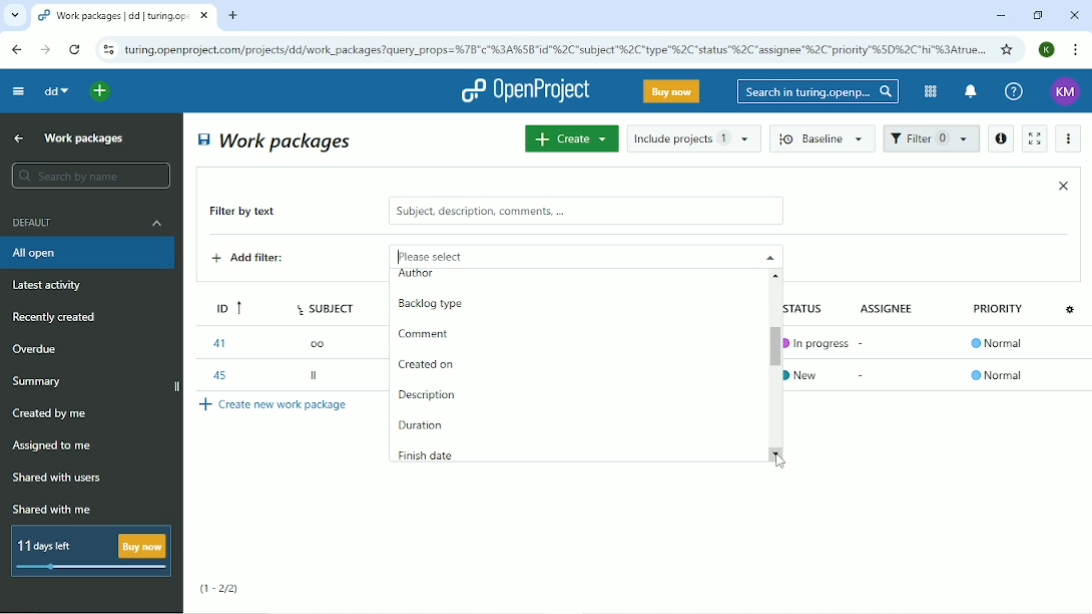 Image resolution: width=1092 pixels, height=614 pixels. What do you see at coordinates (53, 287) in the screenshot?
I see `Latest activity` at bounding box center [53, 287].